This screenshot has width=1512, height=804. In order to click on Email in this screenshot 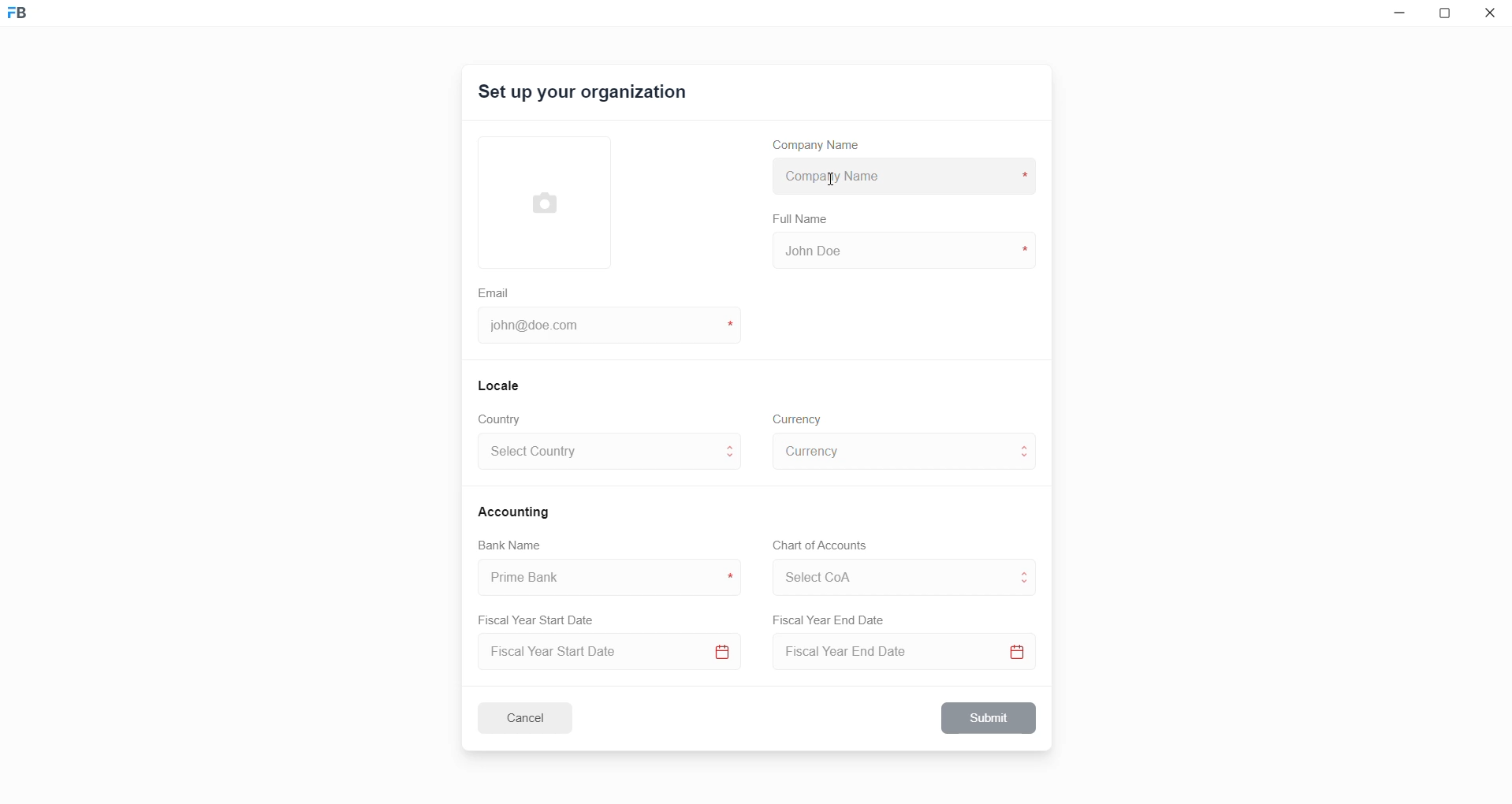, I will do `click(496, 291)`.